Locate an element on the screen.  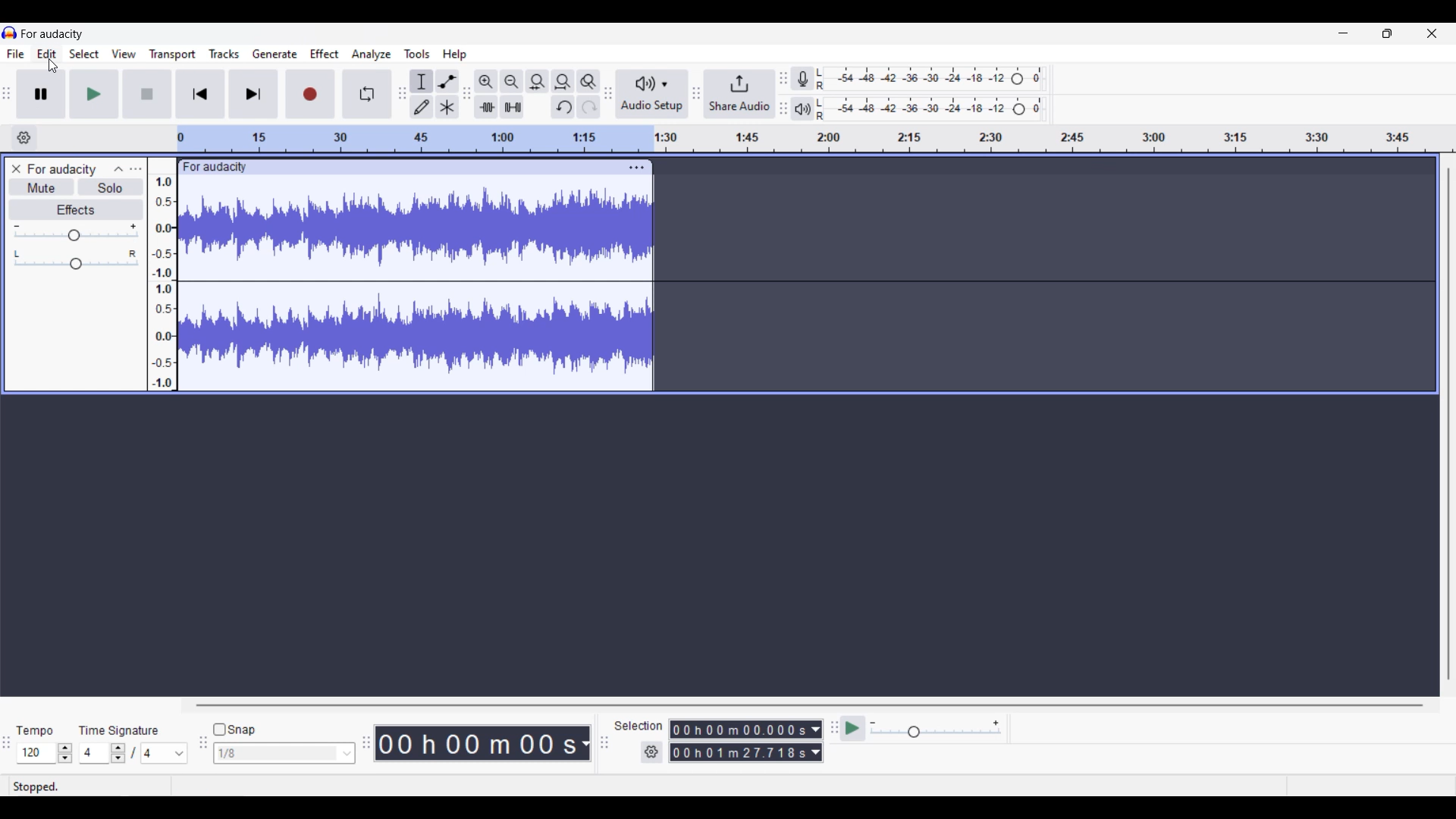
Track settings is located at coordinates (636, 168).